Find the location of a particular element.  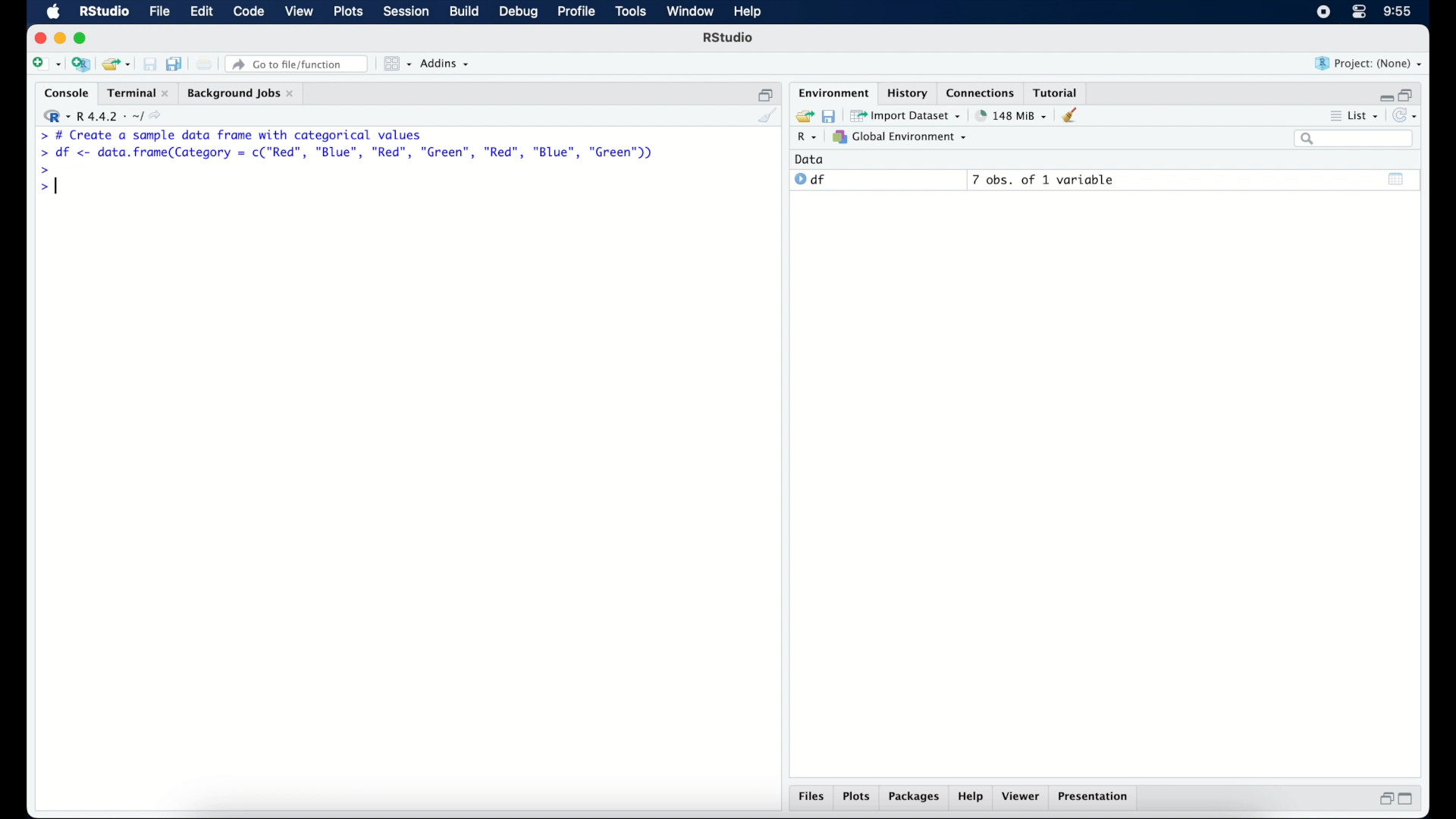

viewer is located at coordinates (1022, 798).